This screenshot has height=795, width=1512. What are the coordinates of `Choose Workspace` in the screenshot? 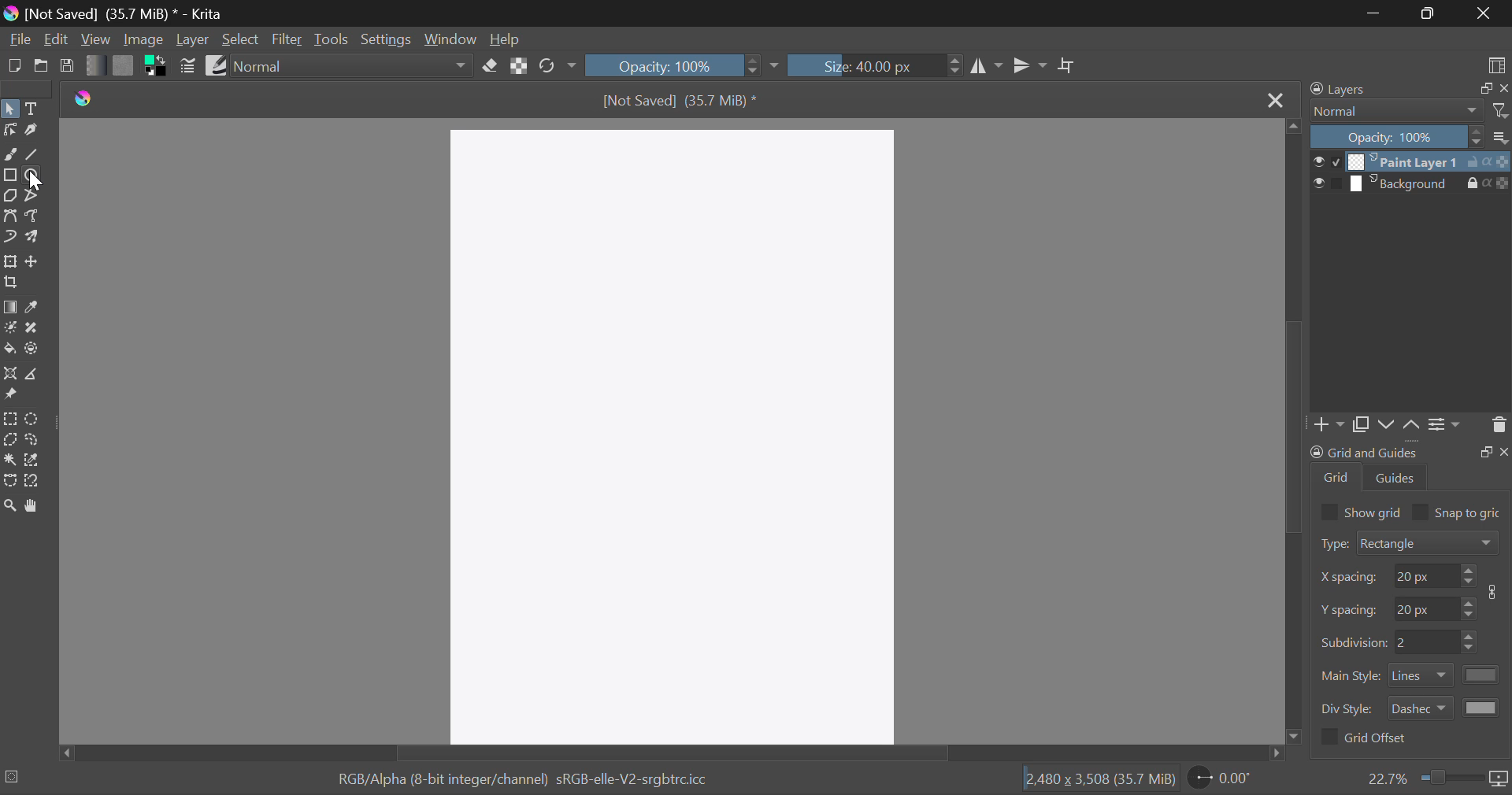 It's located at (1495, 65).